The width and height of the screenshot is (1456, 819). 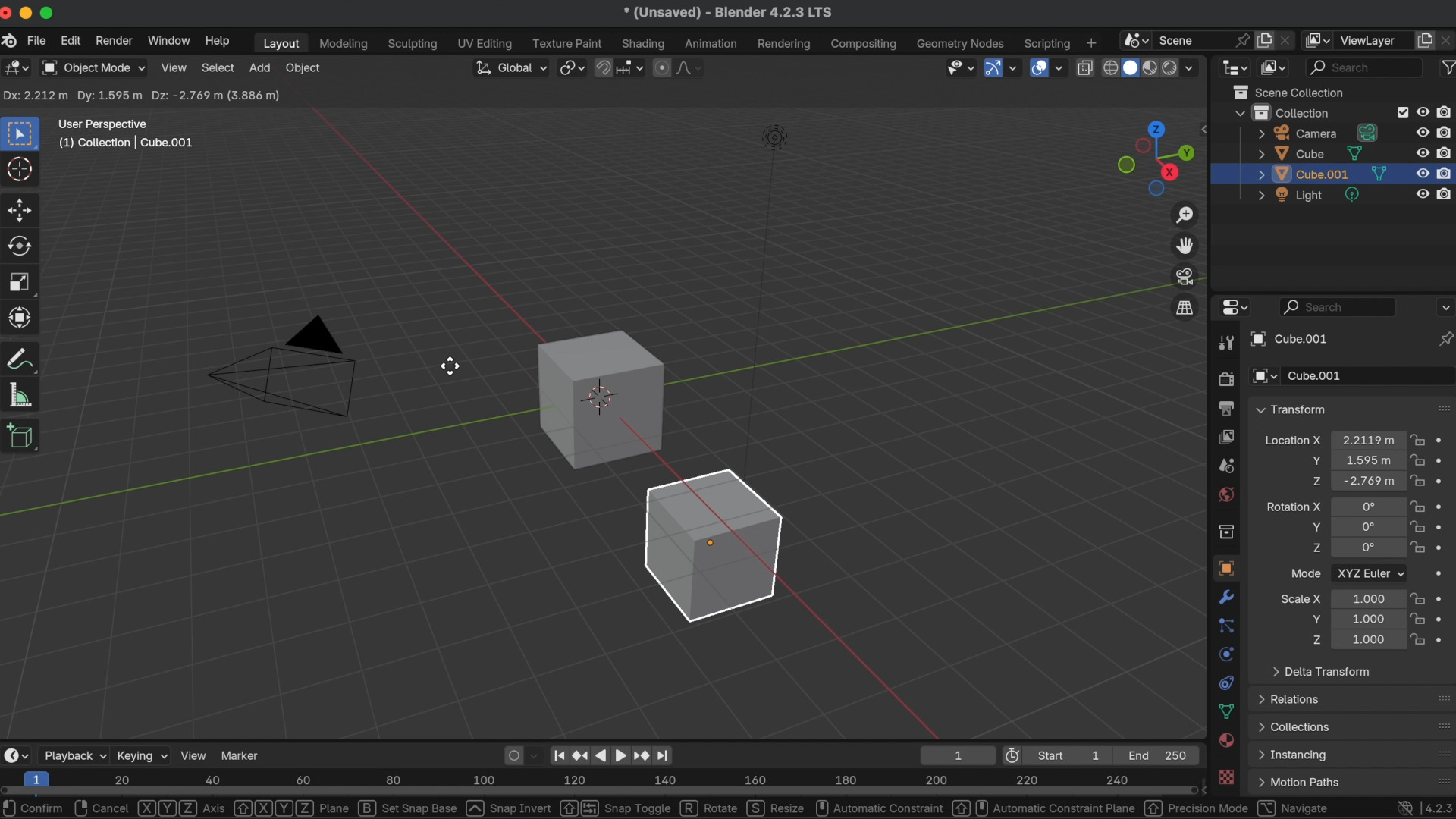 I want to click on Automatic Constraint, so click(x=878, y=808).